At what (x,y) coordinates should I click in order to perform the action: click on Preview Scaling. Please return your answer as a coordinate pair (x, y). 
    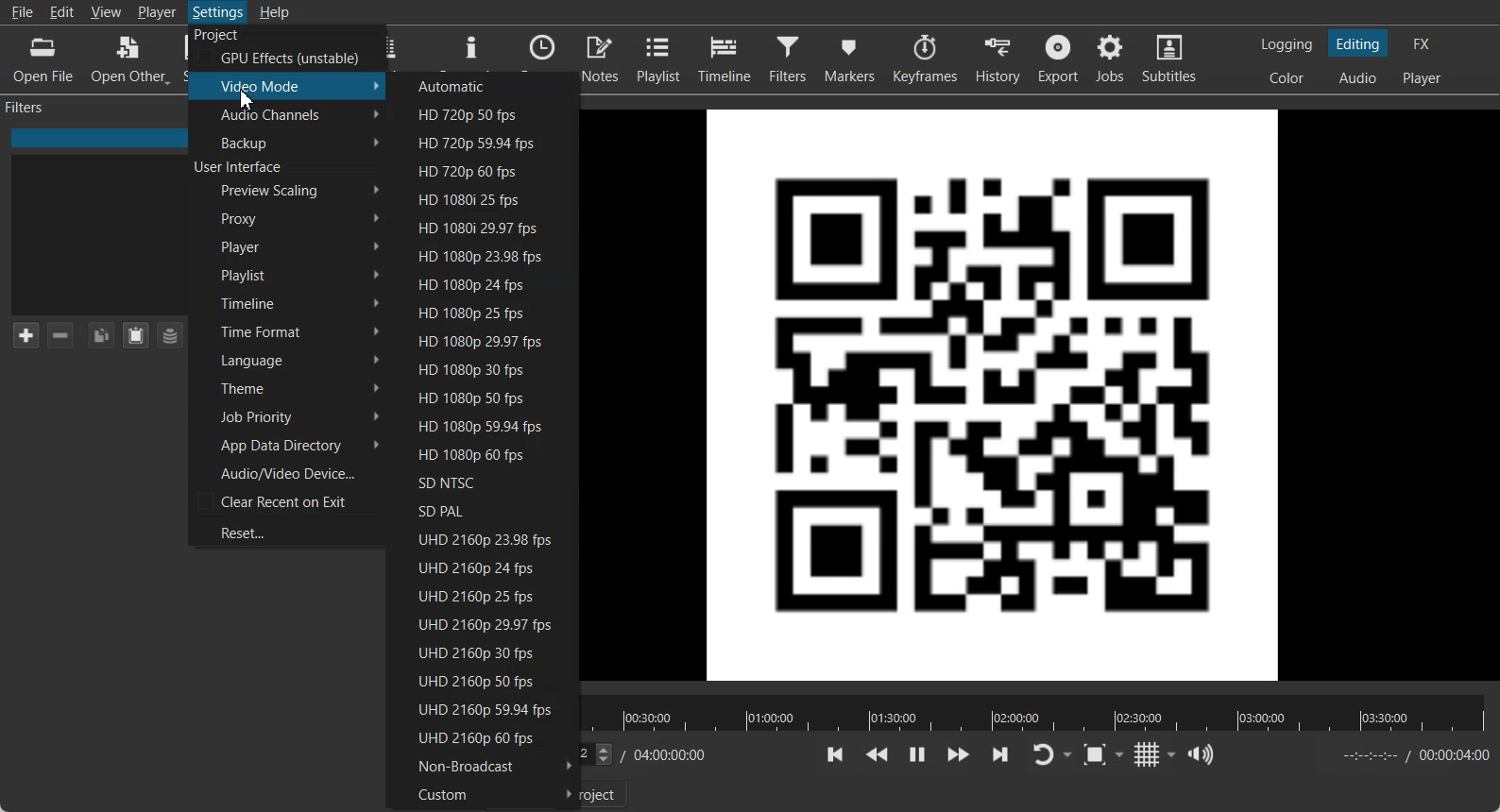
    Looking at the image, I should click on (288, 191).